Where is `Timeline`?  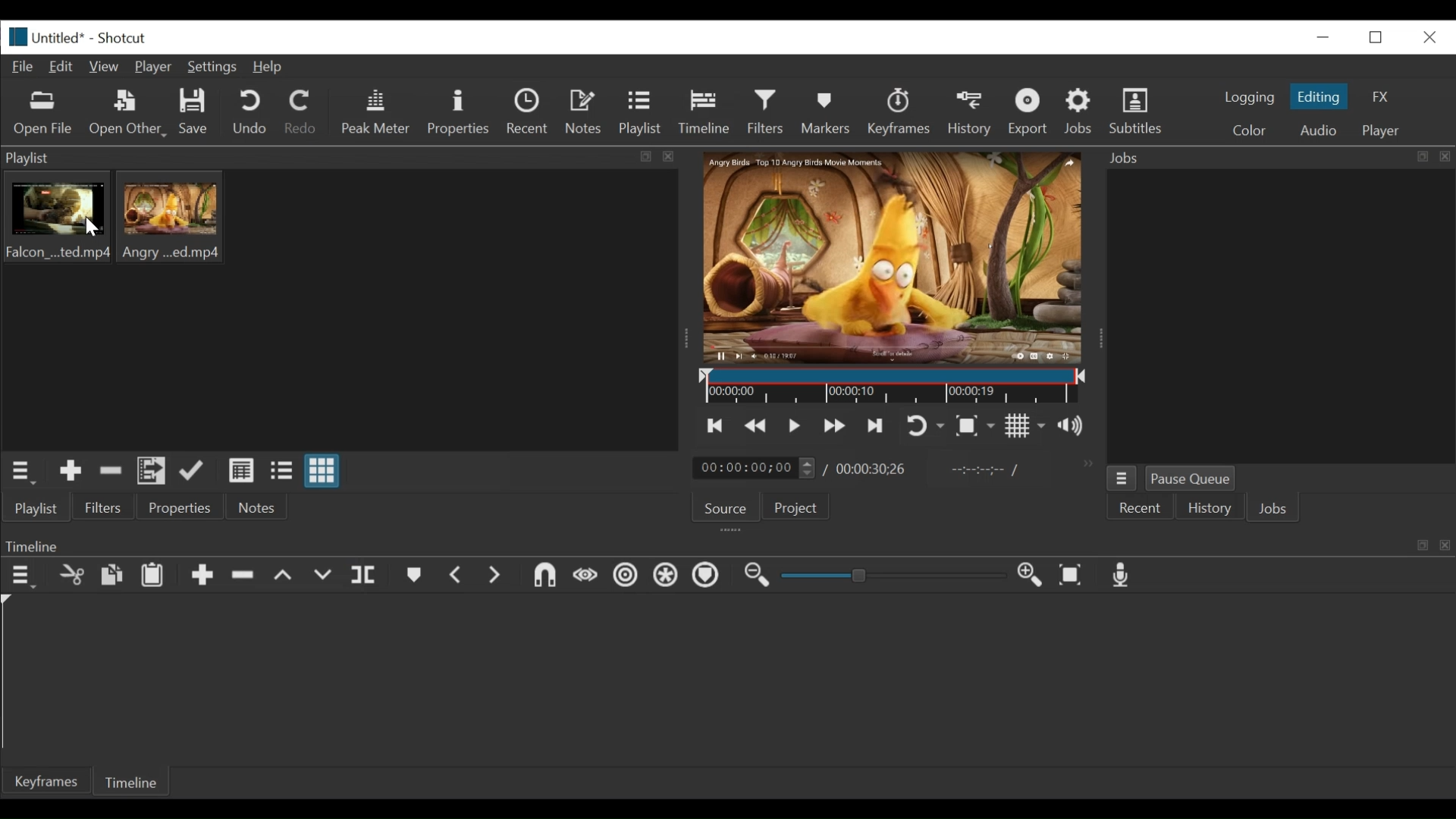 Timeline is located at coordinates (894, 387).